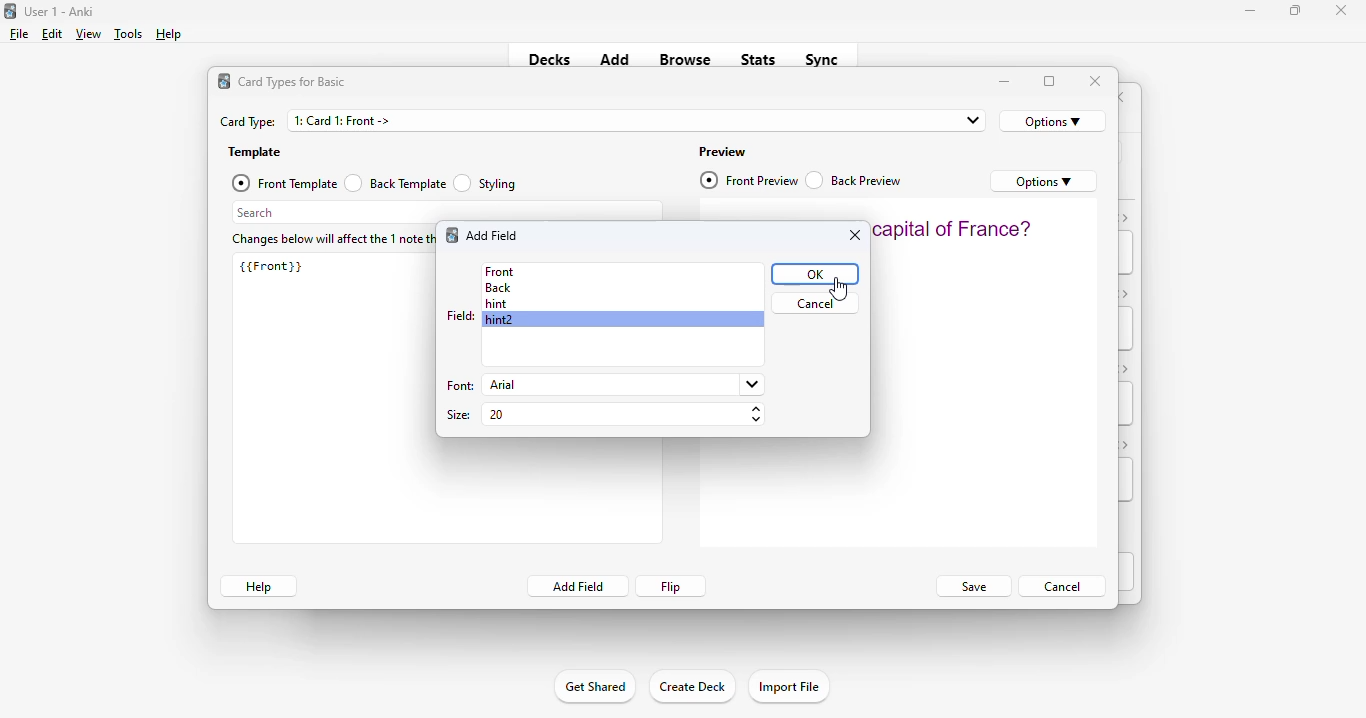 The height and width of the screenshot is (718, 1366). I want to click on changes below will affect the 1 note that uses this card type, so click(330, 240).